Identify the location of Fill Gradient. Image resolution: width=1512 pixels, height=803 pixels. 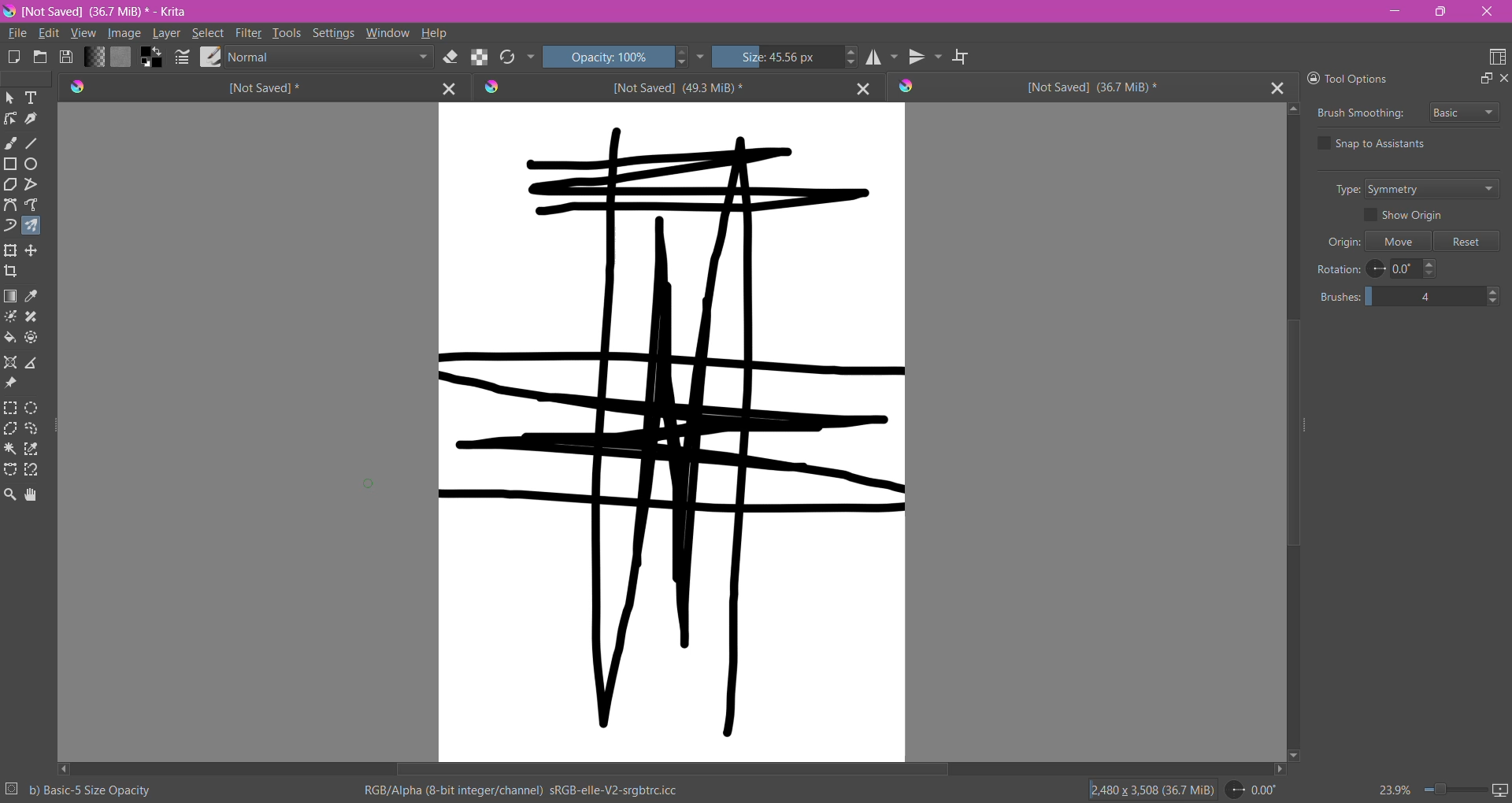
(94, 56).